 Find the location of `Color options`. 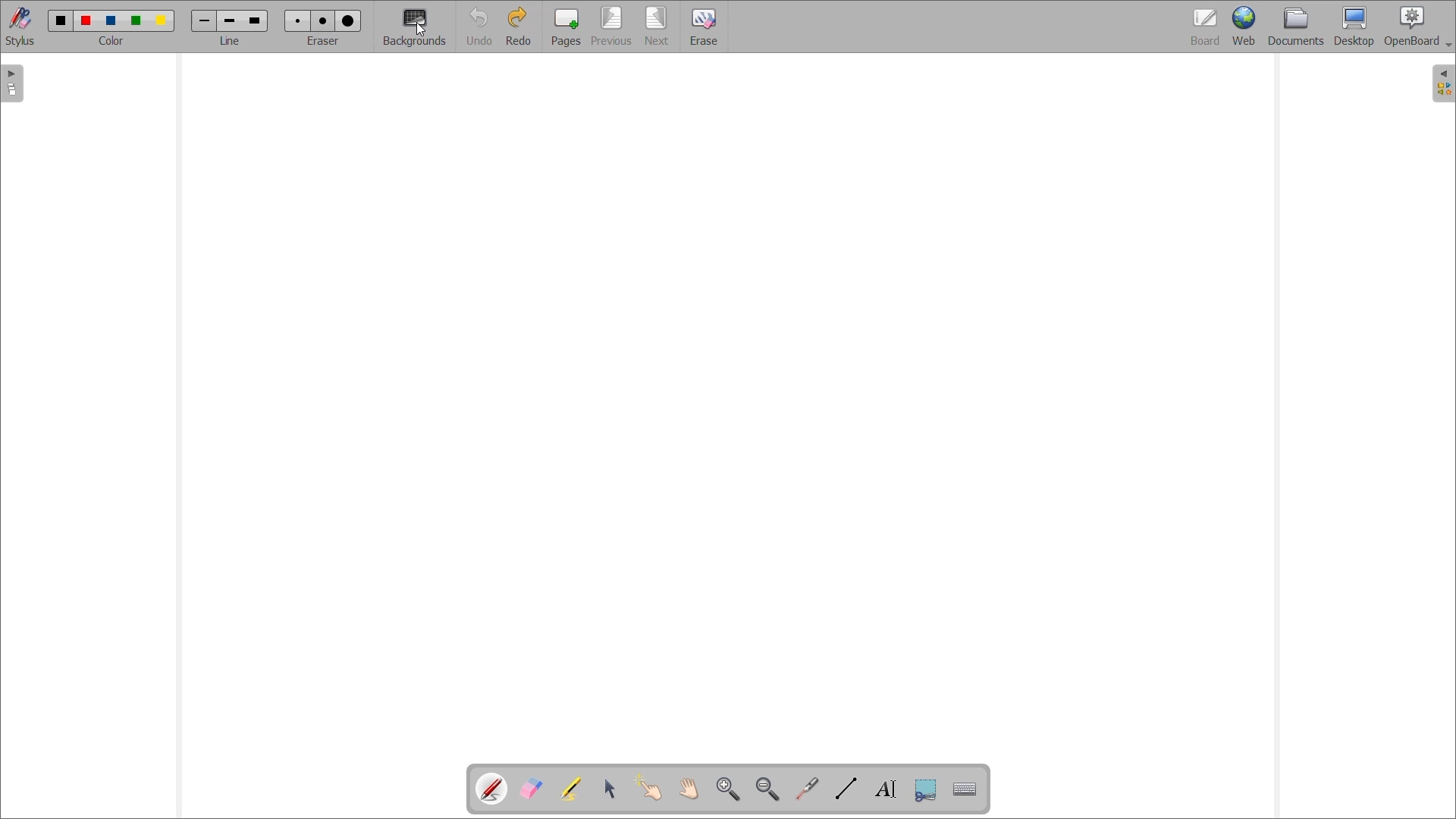

Color options is located at coordinates (111, 21).